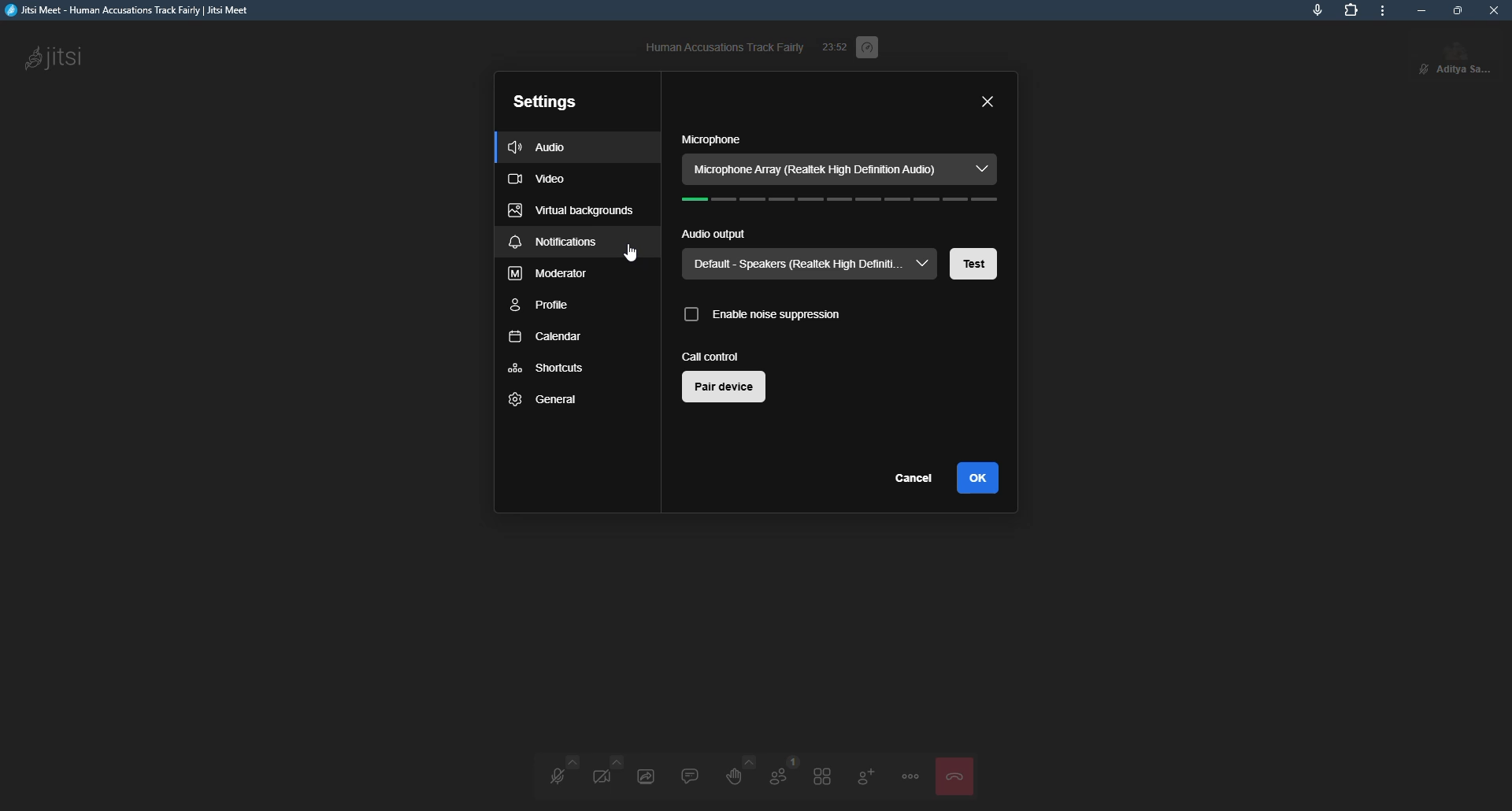 The image size is (1512, 811). I want to click on toggle tile view, so click(822, 776).